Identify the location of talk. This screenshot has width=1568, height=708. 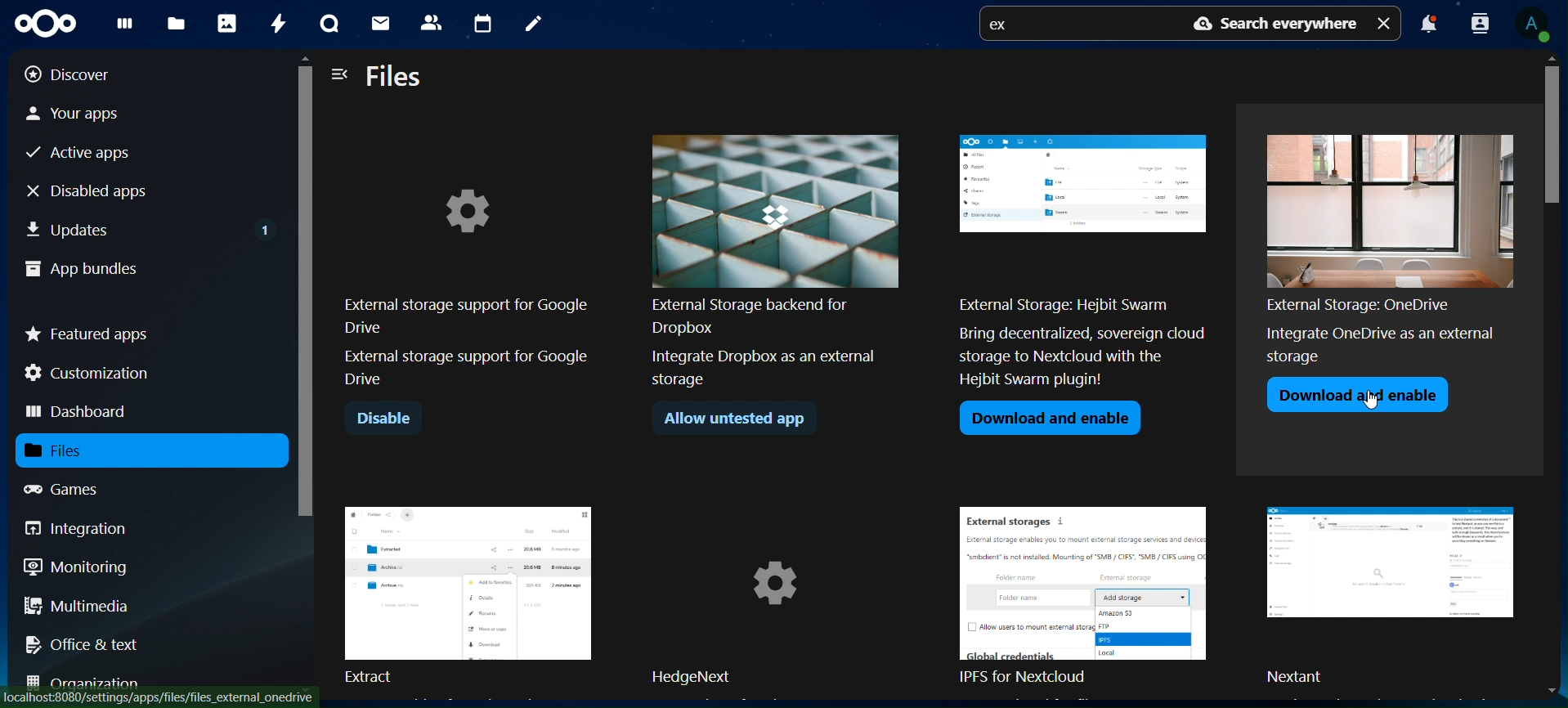
(326, 25).